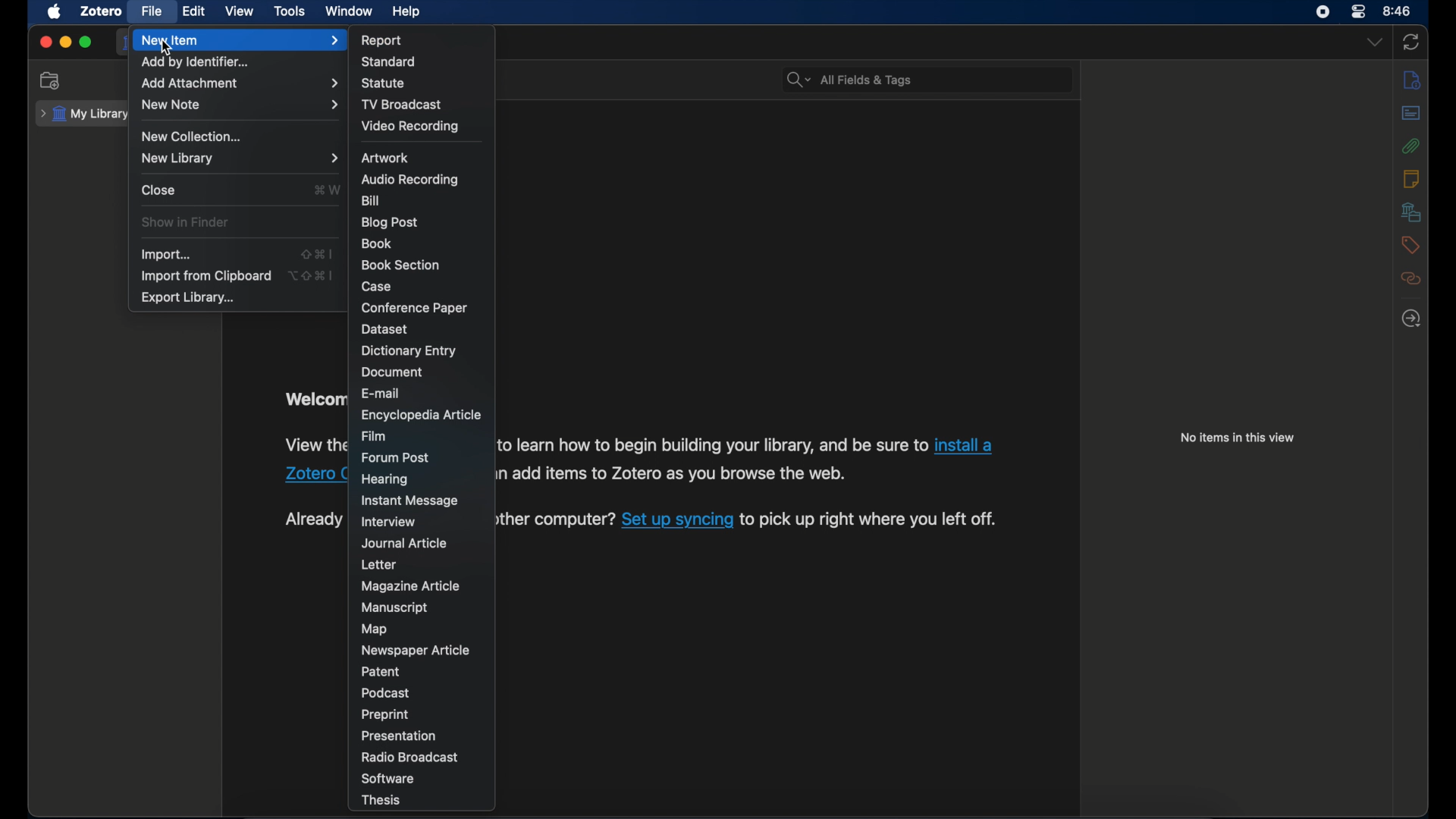  Describe the element at coordinates (681, 476) in the screenshot. I see `software information` at that location.